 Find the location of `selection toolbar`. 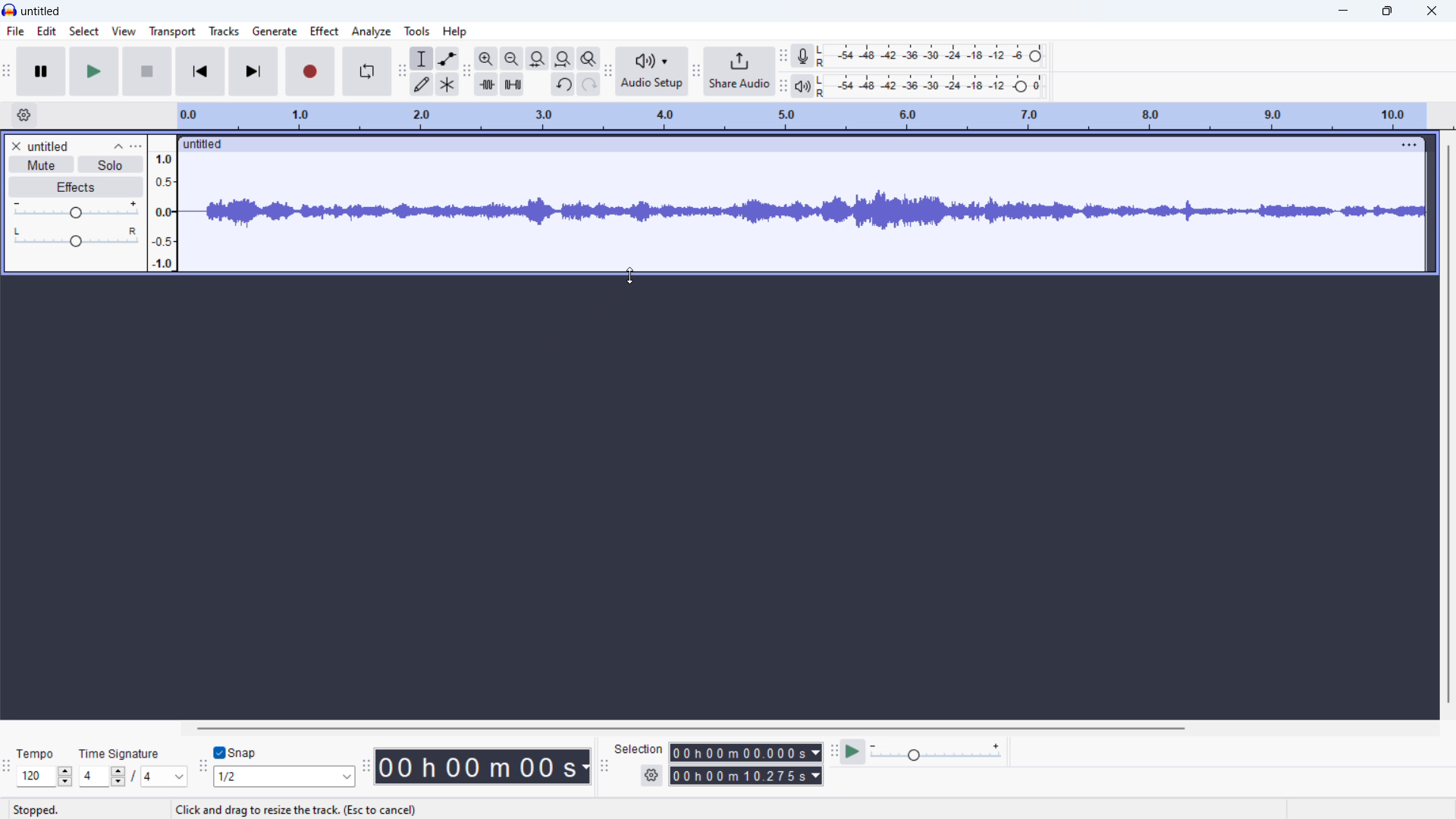

selection toolbar is located at coordinates (604, 767).